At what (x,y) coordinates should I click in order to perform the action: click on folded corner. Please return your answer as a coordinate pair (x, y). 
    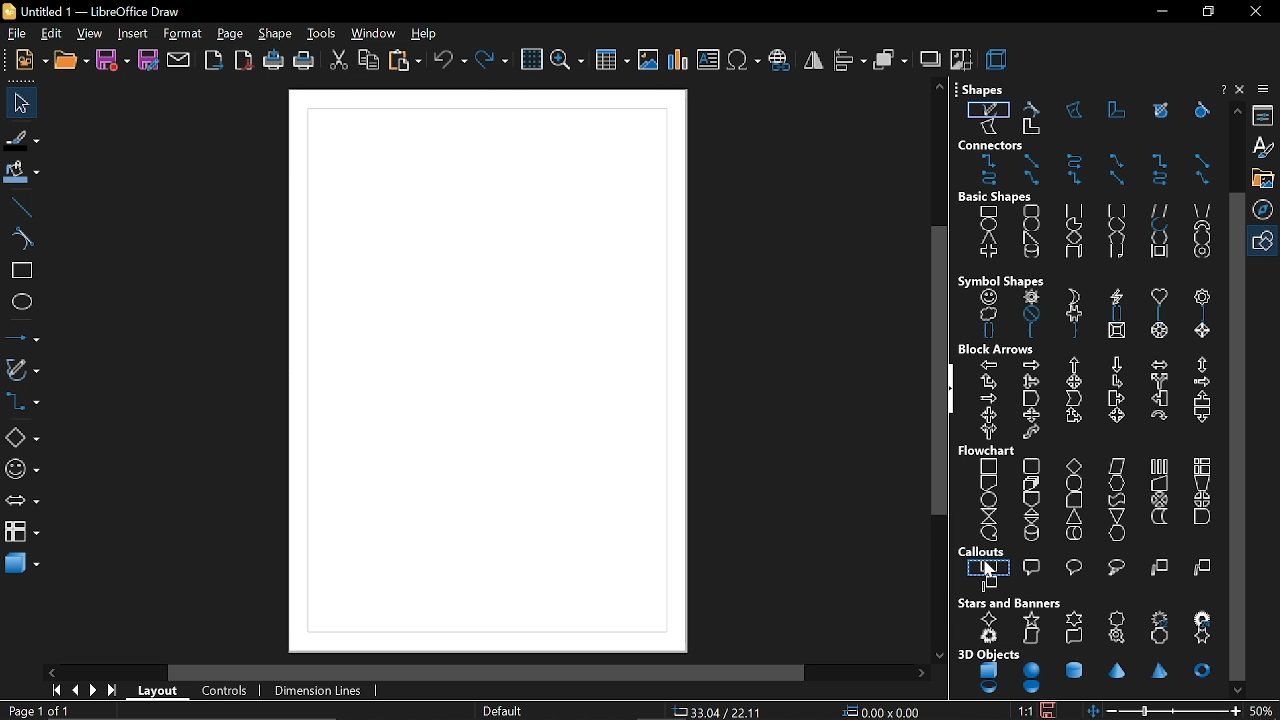
    Looking at the image, I should click on (1114, 255).